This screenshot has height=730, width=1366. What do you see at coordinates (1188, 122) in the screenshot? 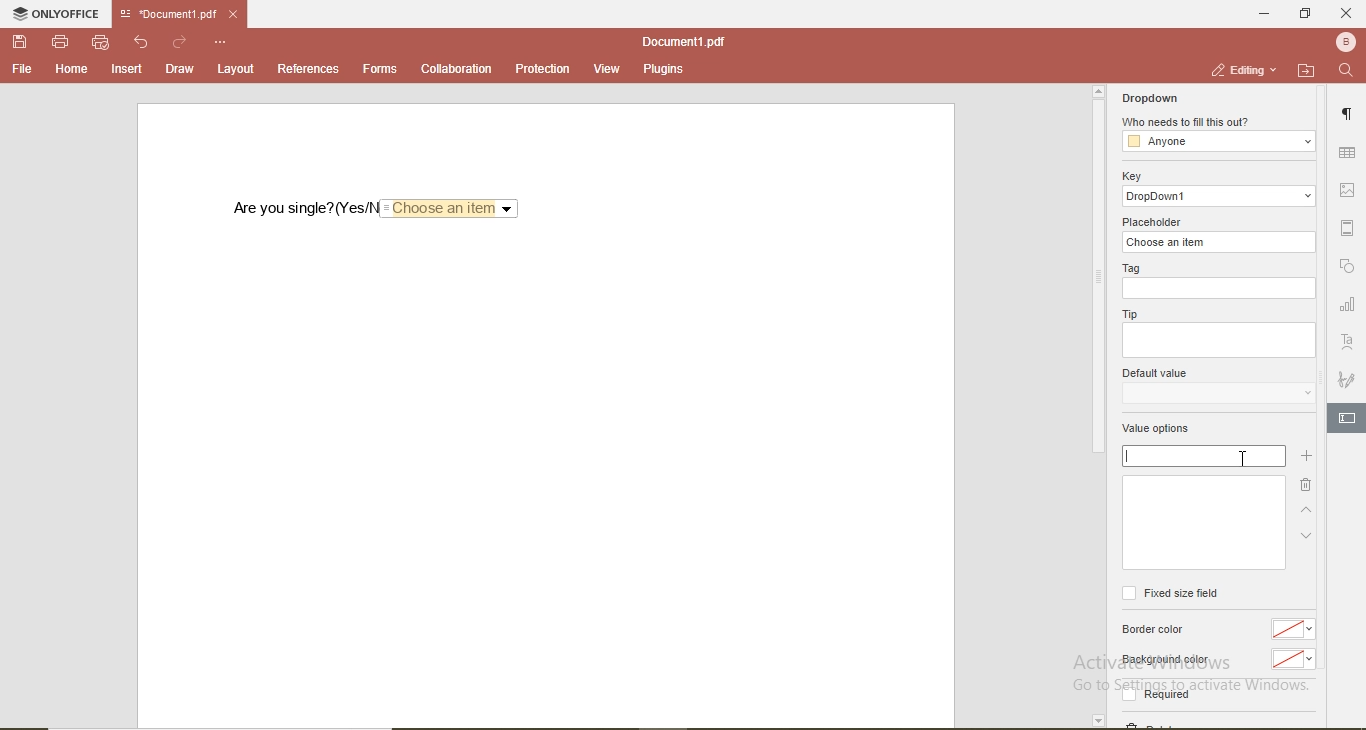
I see `who needs to fill this out` at bounding box center [1188, 122].